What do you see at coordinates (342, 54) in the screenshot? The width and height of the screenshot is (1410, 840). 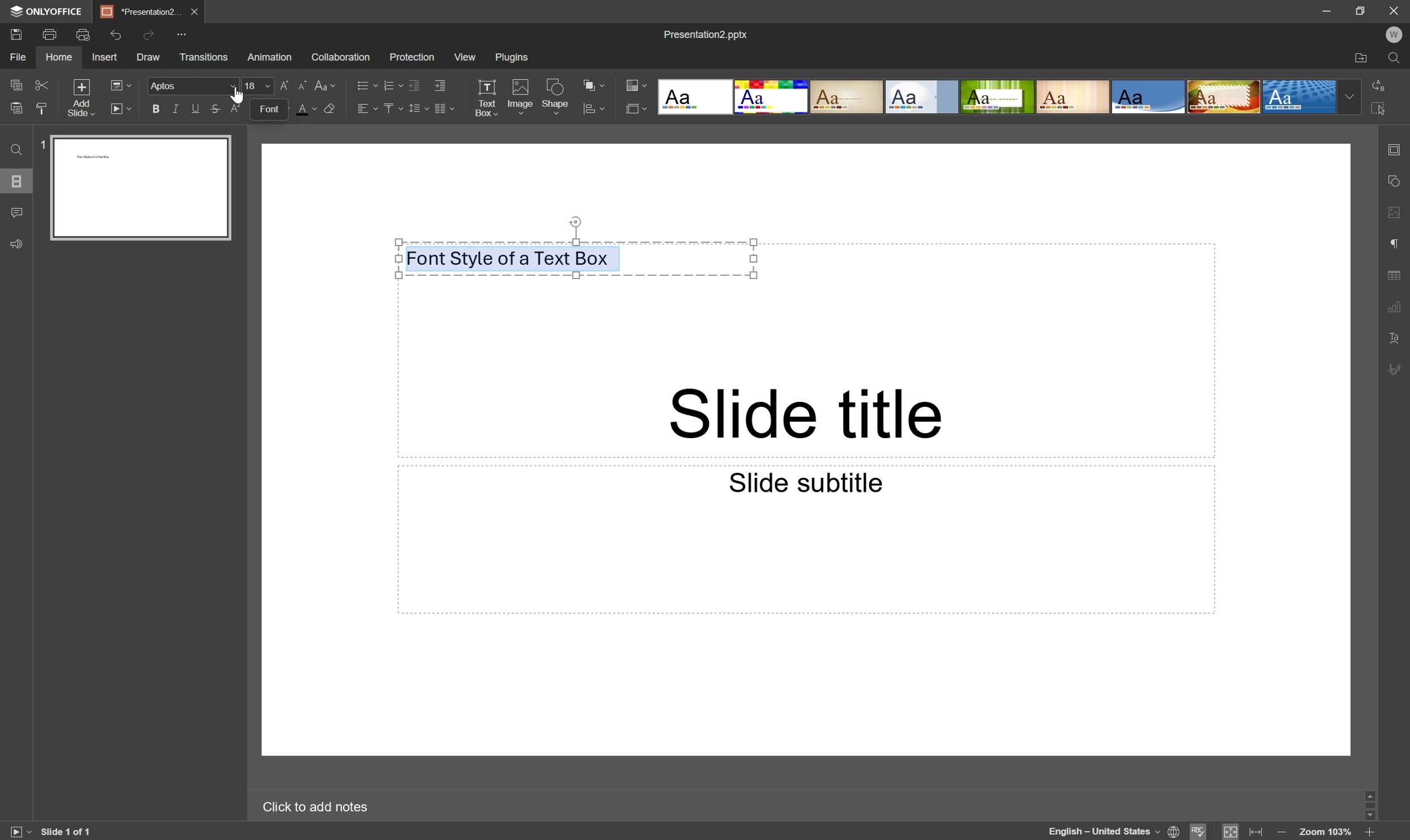 I see `Collaboration` at bounding box center [342, 54].